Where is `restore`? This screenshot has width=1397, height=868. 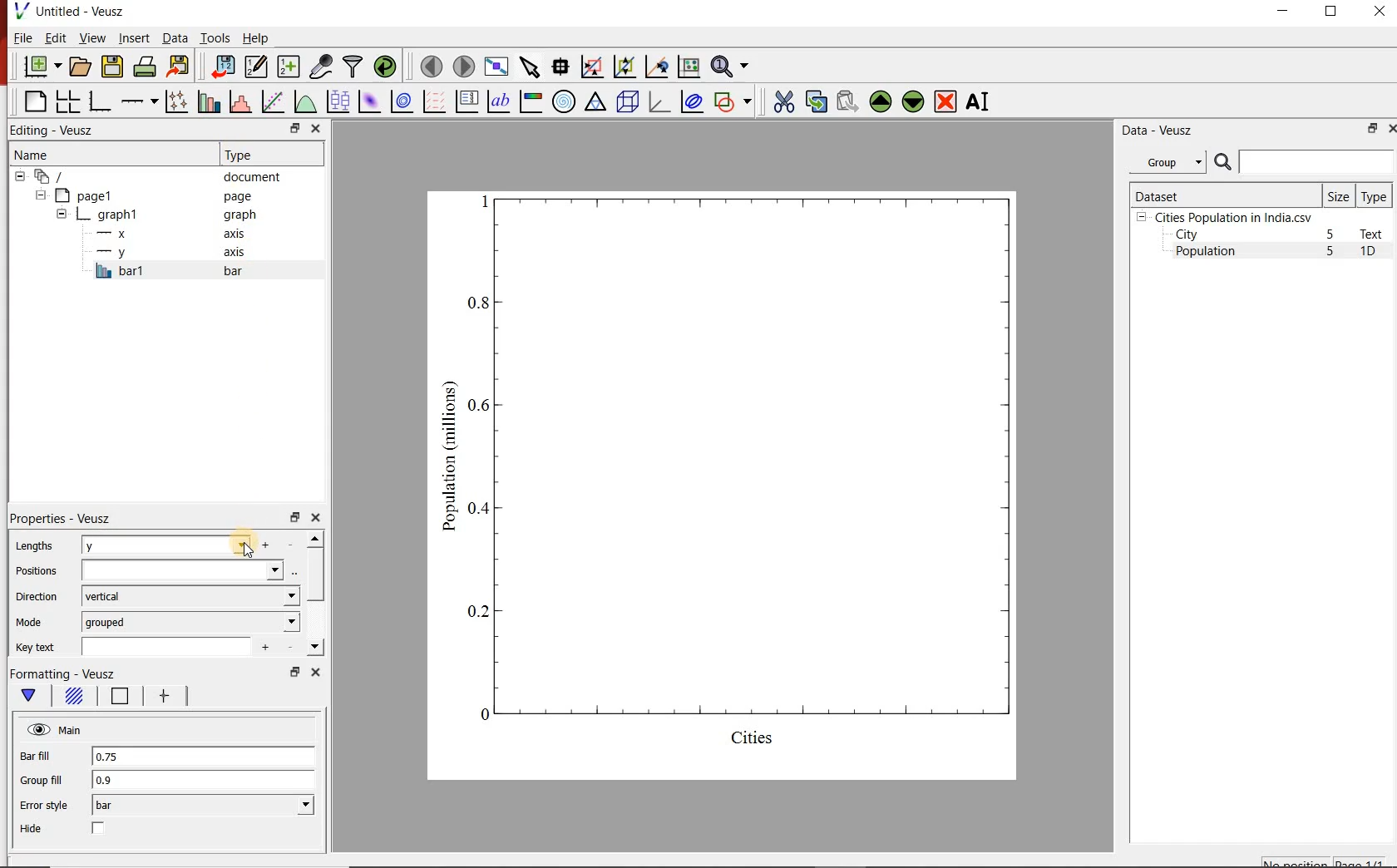 restore is located at coordinates (294, 128).